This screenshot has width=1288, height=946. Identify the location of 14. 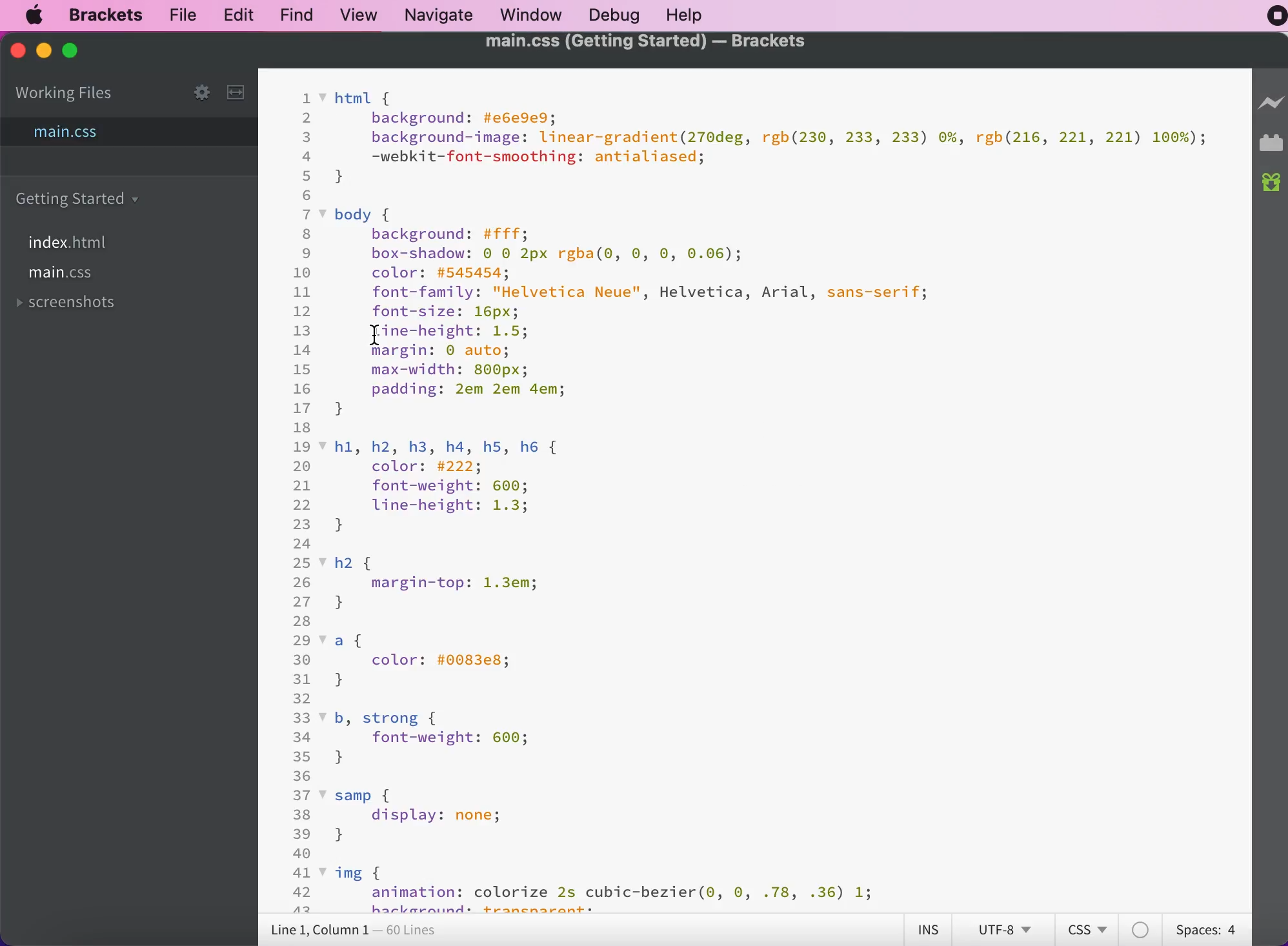
(304, 350).